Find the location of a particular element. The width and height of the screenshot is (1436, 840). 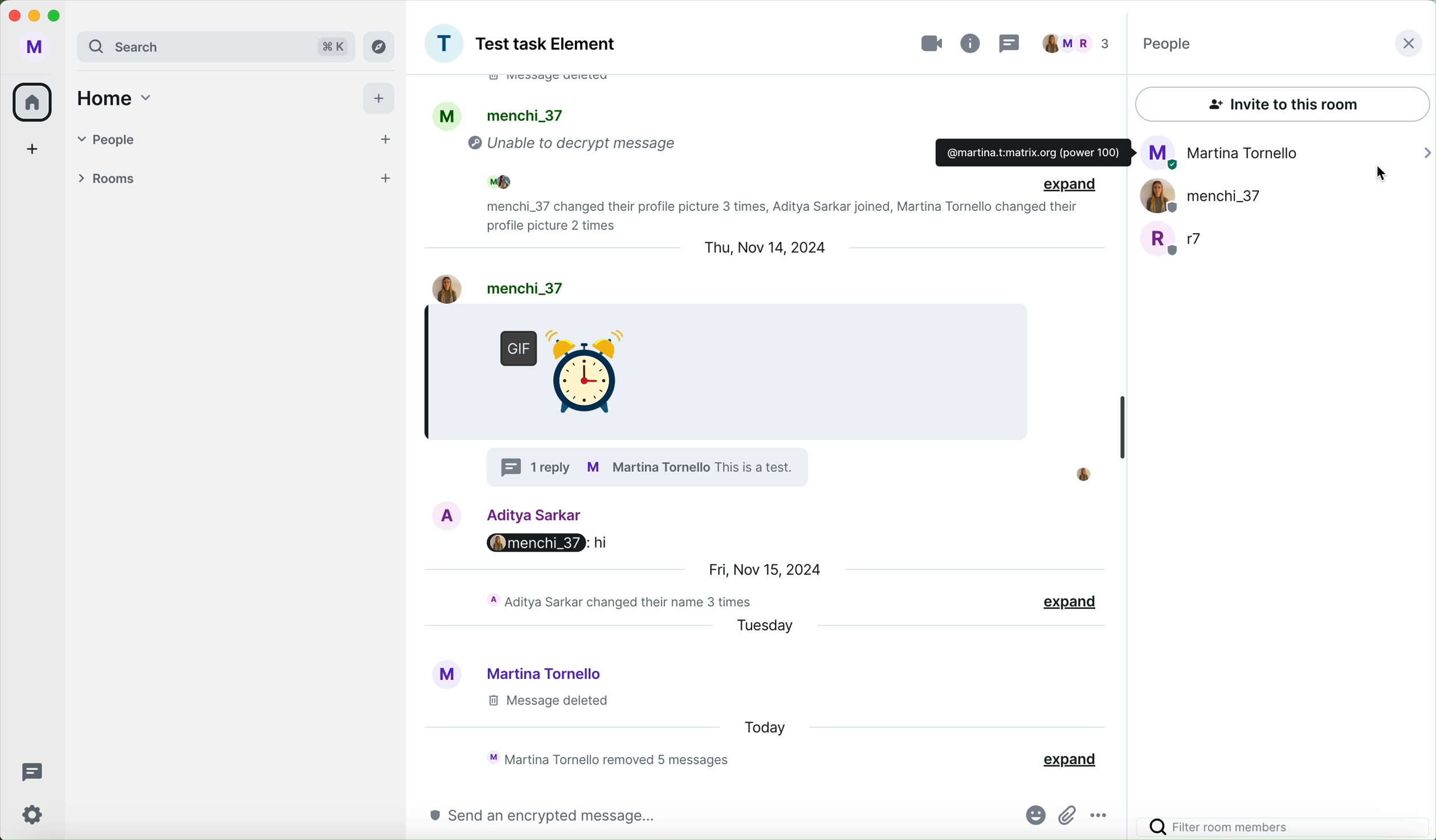

profile picture is located at coordinates (444, 676).